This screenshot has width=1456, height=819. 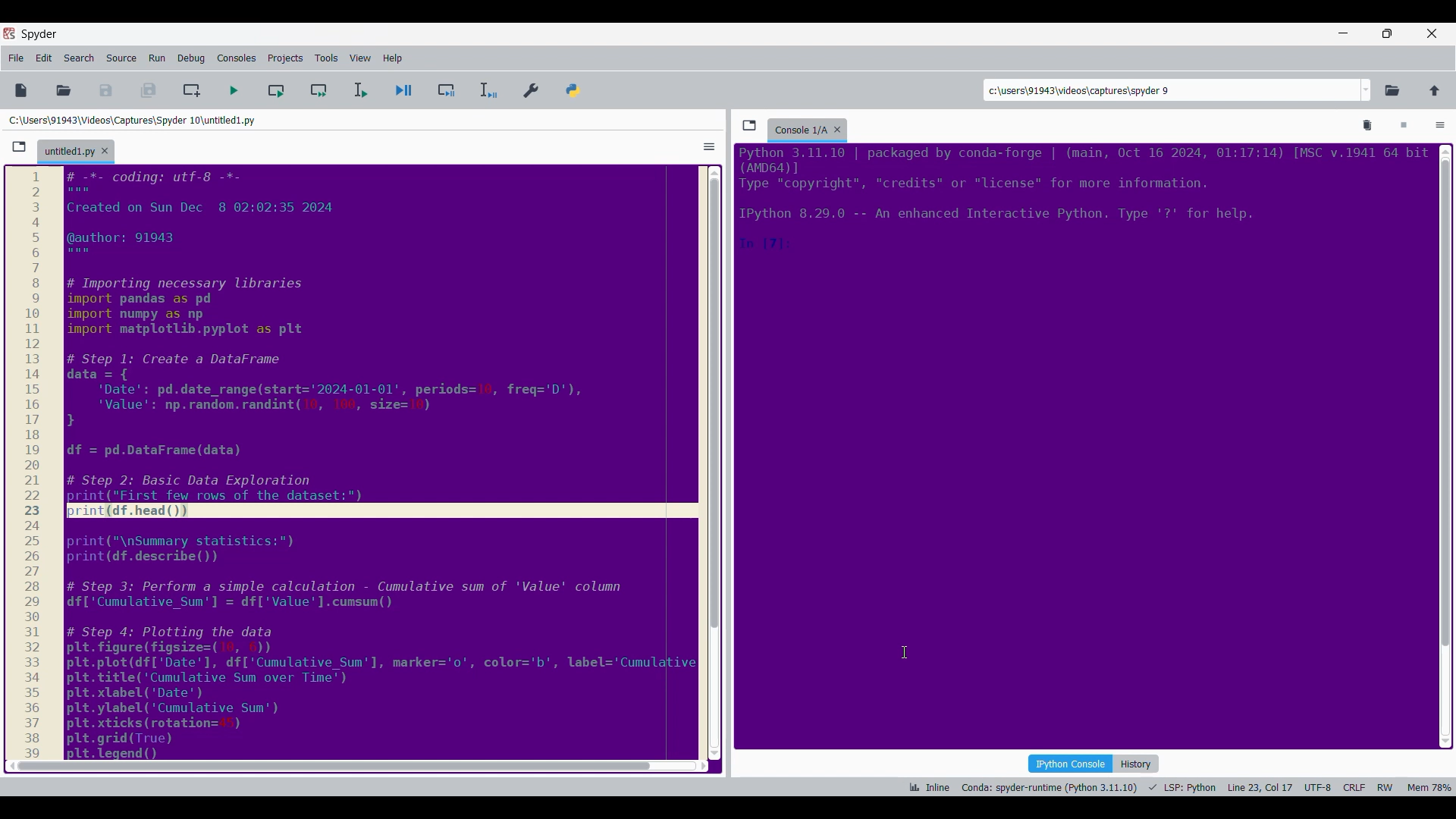 I want to click on Tools menu, so click(x=326, y=58).